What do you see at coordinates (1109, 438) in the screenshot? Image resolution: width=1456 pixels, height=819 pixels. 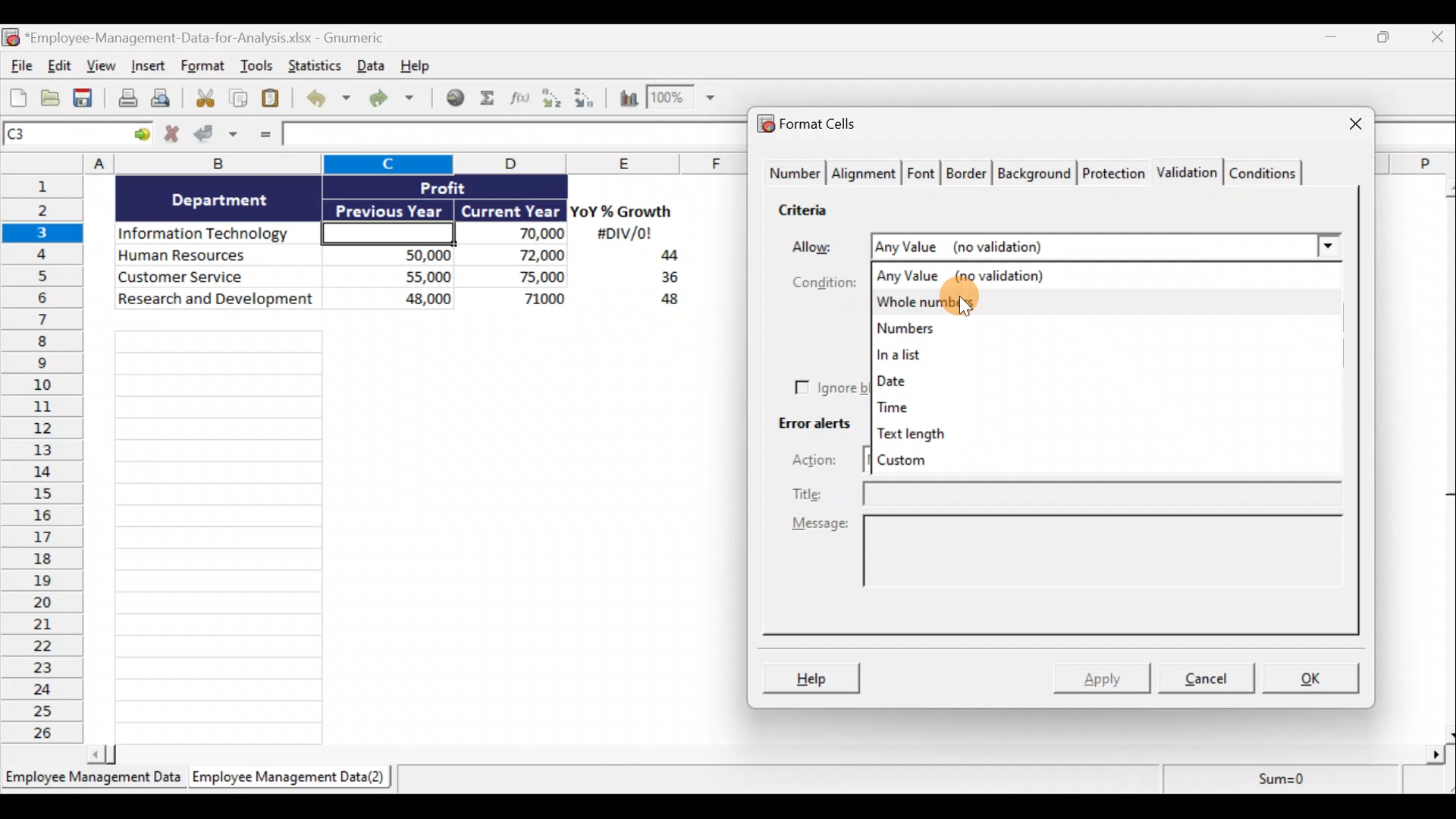 I see `Text length` at bounding box center [1109, 438].